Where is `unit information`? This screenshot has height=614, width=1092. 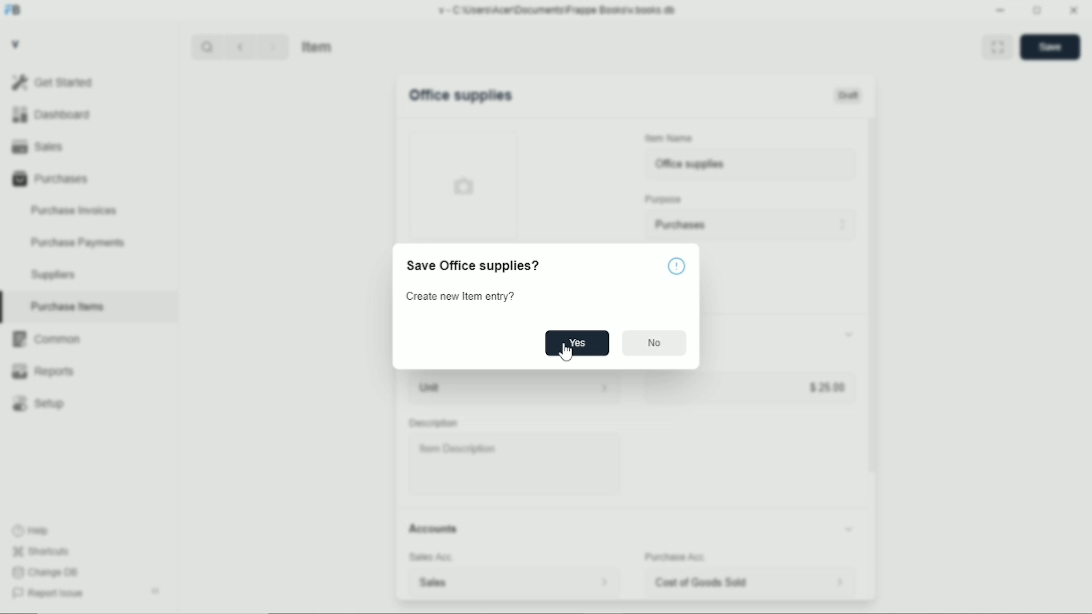 unit information is located at coordinates (605, 387).